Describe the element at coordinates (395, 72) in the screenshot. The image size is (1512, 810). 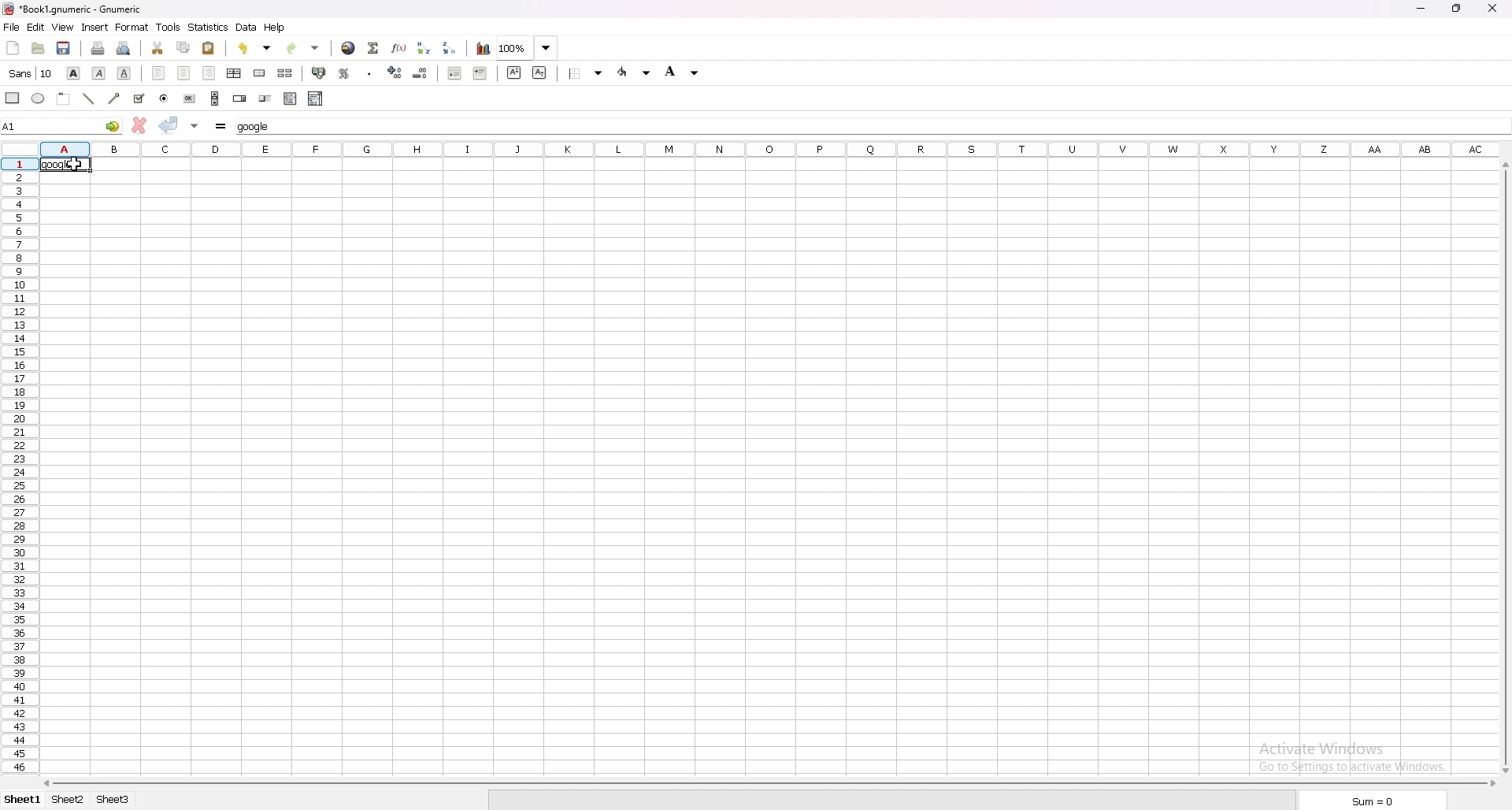
I see `increase decimals` at that location.